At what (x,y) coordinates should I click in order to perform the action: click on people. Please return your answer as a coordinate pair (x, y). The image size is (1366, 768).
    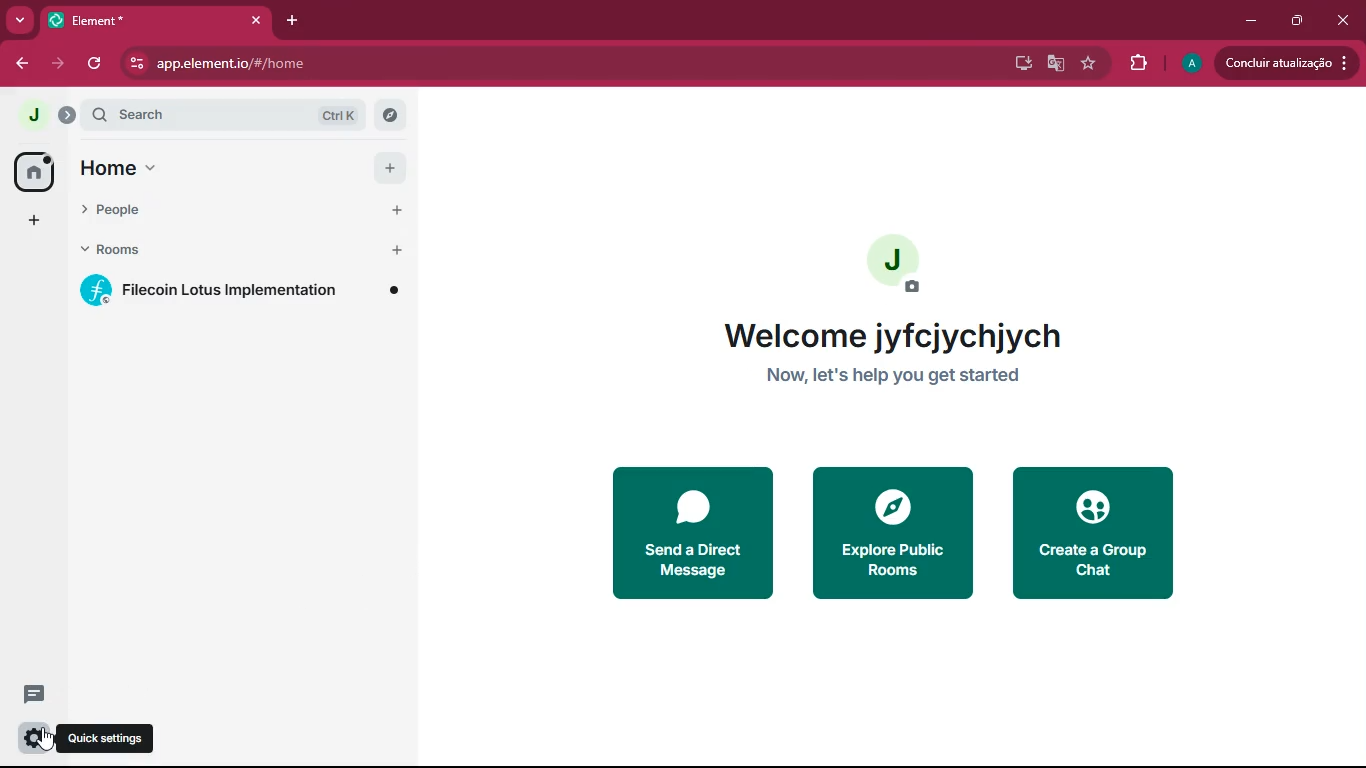
    Looking at the image, I should click on (136, 212).